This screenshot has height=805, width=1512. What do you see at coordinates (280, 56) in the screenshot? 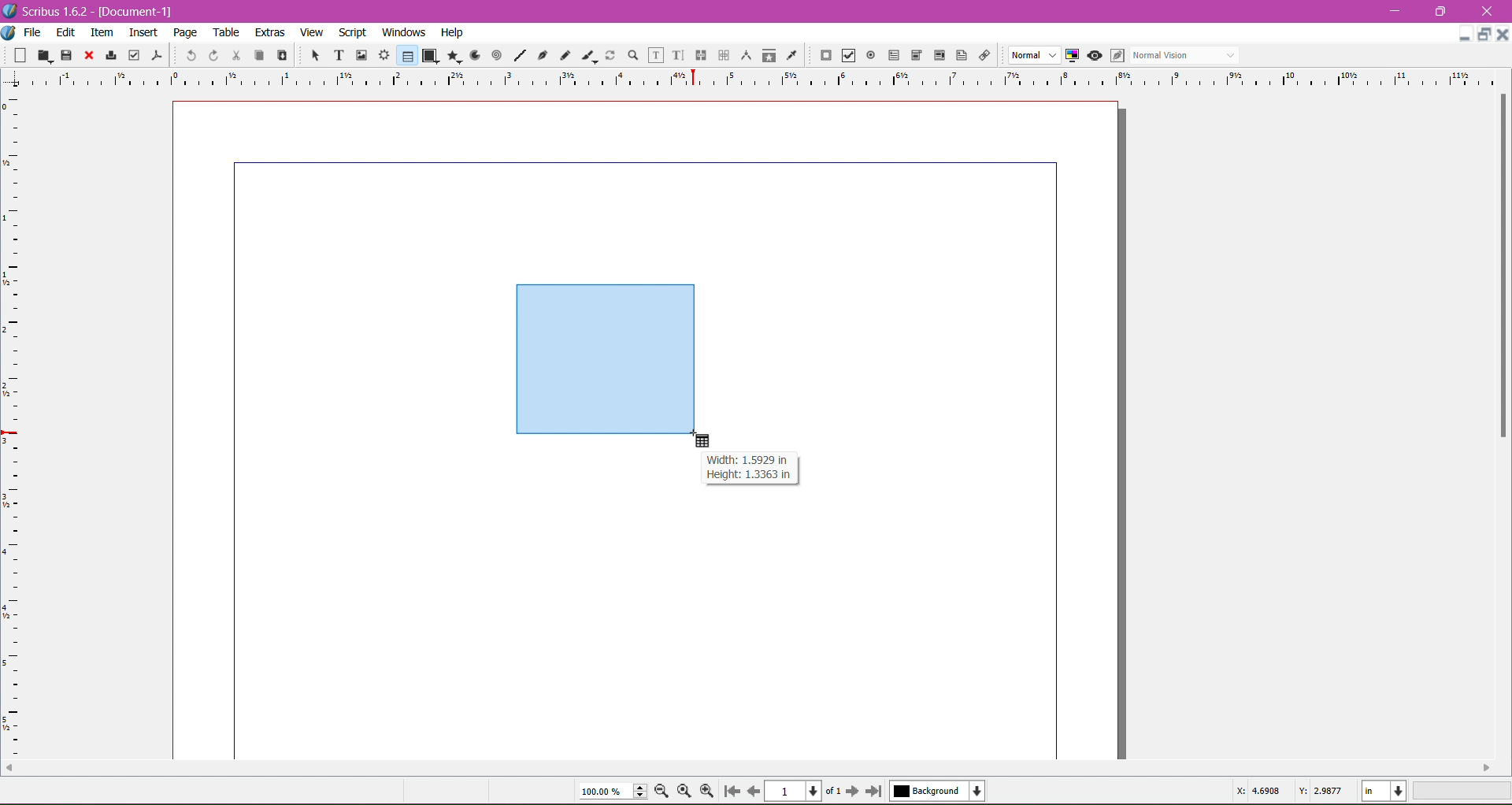
I see `Paste` at bounding box center [280, 56].